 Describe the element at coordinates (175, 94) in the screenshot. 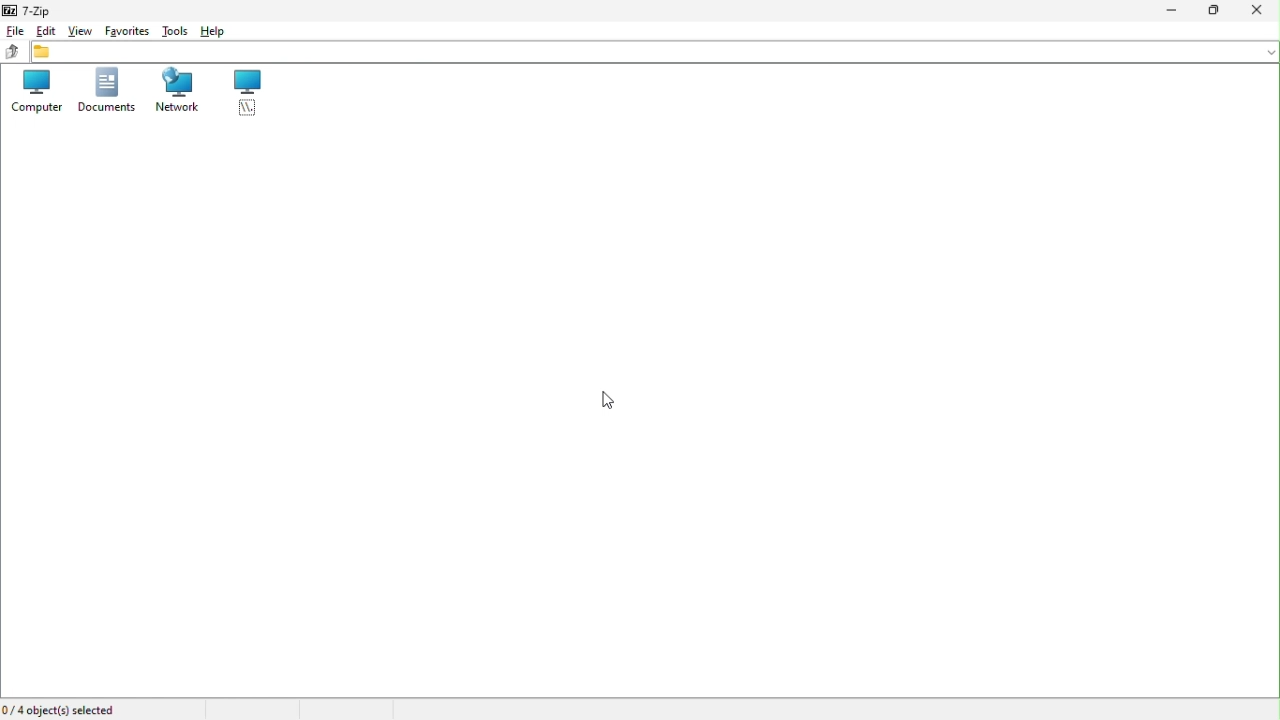

I see `Network` at that location.